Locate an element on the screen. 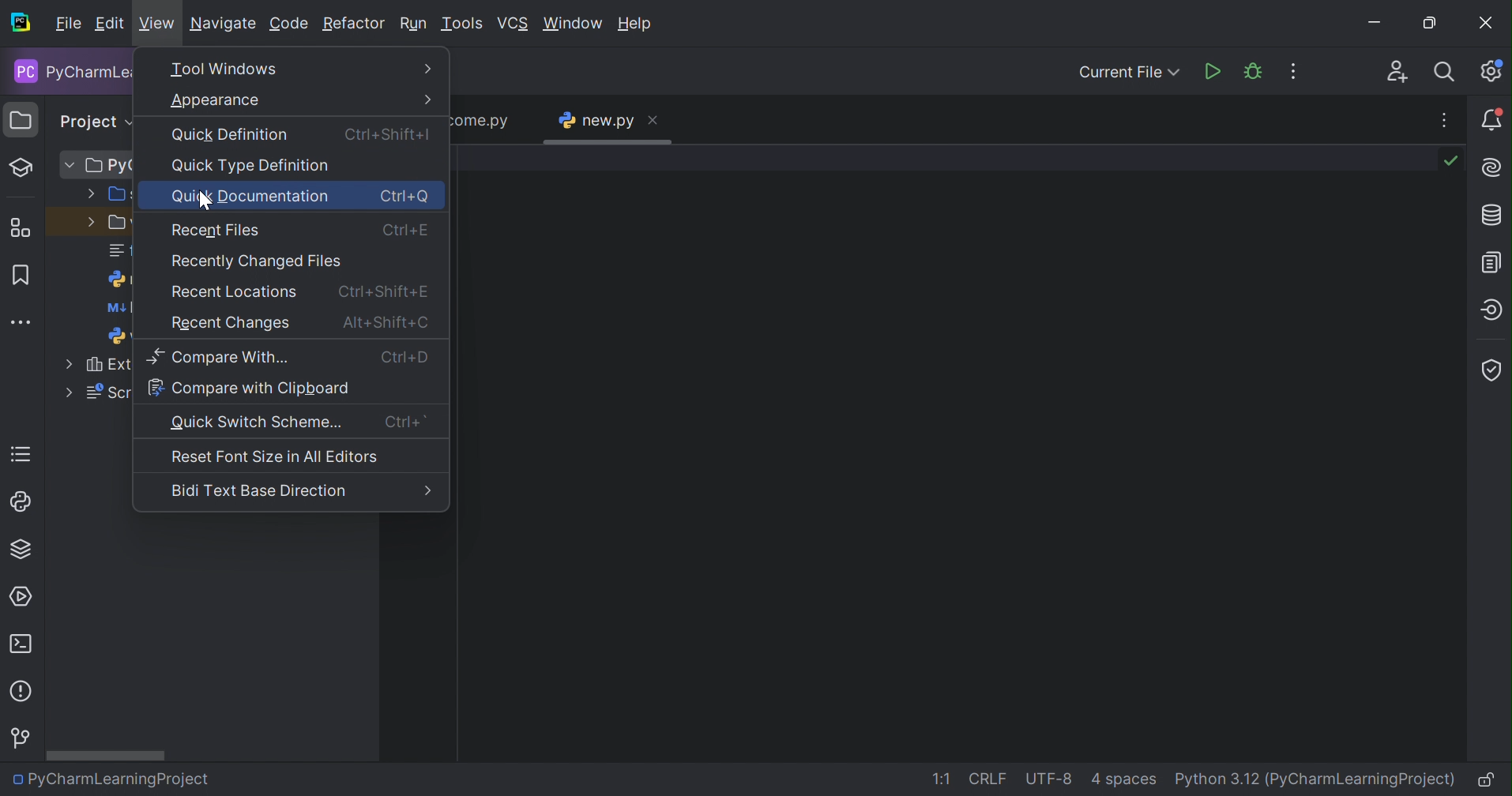 The width and height of the screenshot is (1512, 796). 1:1 is located at coordinates (942, 779).